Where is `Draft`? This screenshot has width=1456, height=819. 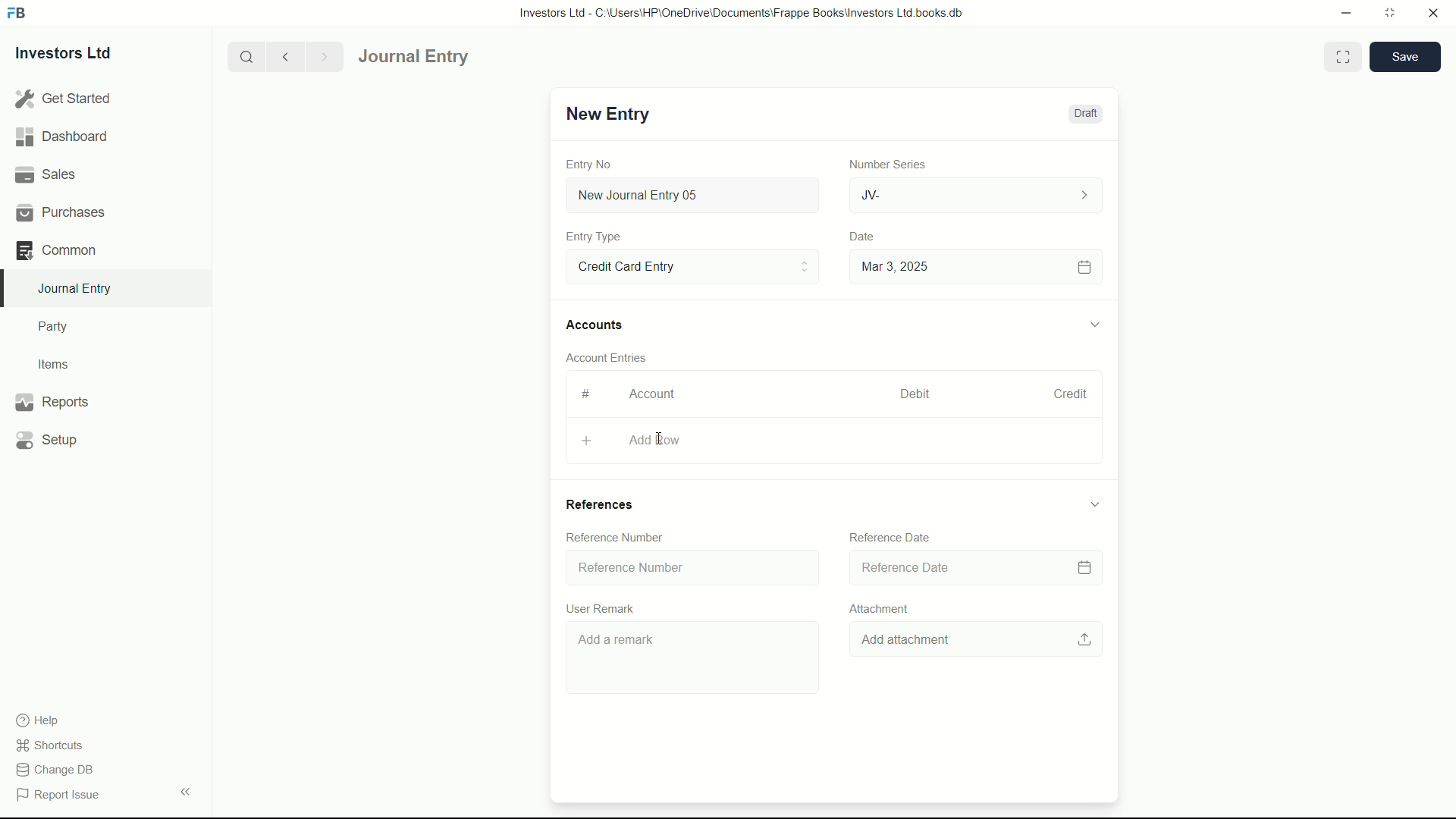
Draft is located at coordinates (1084, 114).